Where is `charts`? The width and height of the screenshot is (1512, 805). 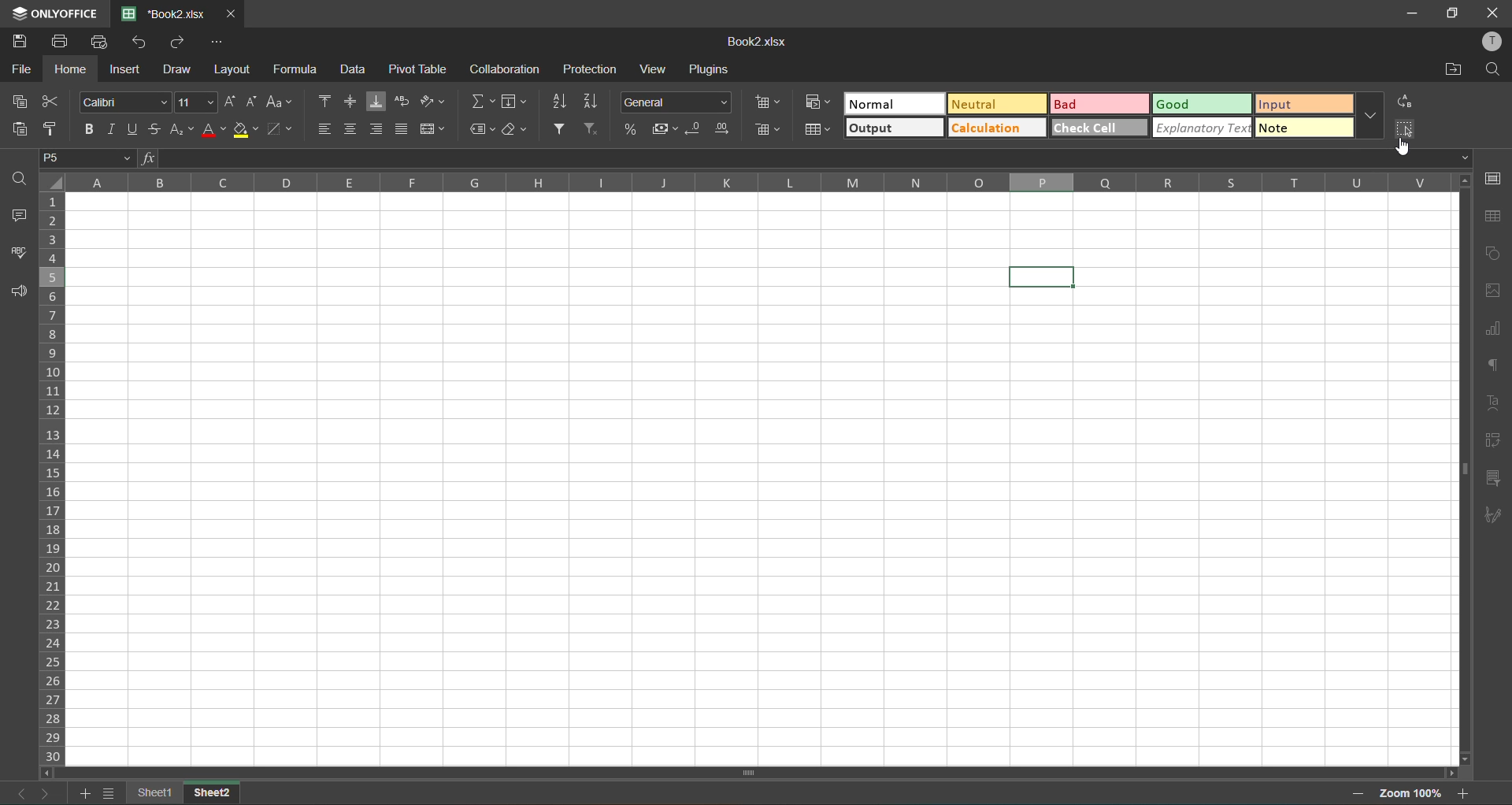 charts is located at coordinates (1495, 330).